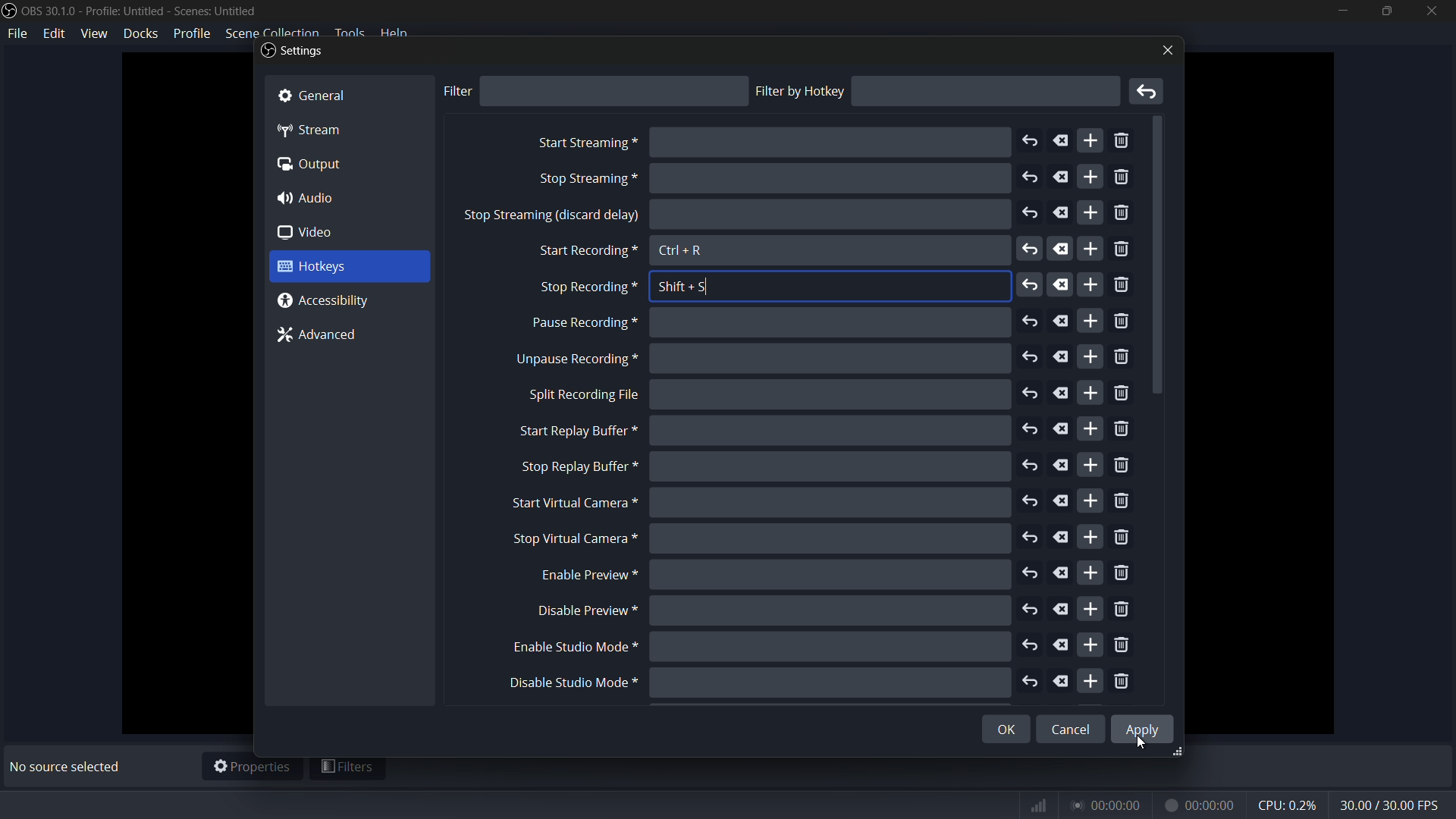 The width and height of the screenshot is (1456, 819). Describe the element at coordinates (1149, 92) in the screenshot. I see `remove` at that location.